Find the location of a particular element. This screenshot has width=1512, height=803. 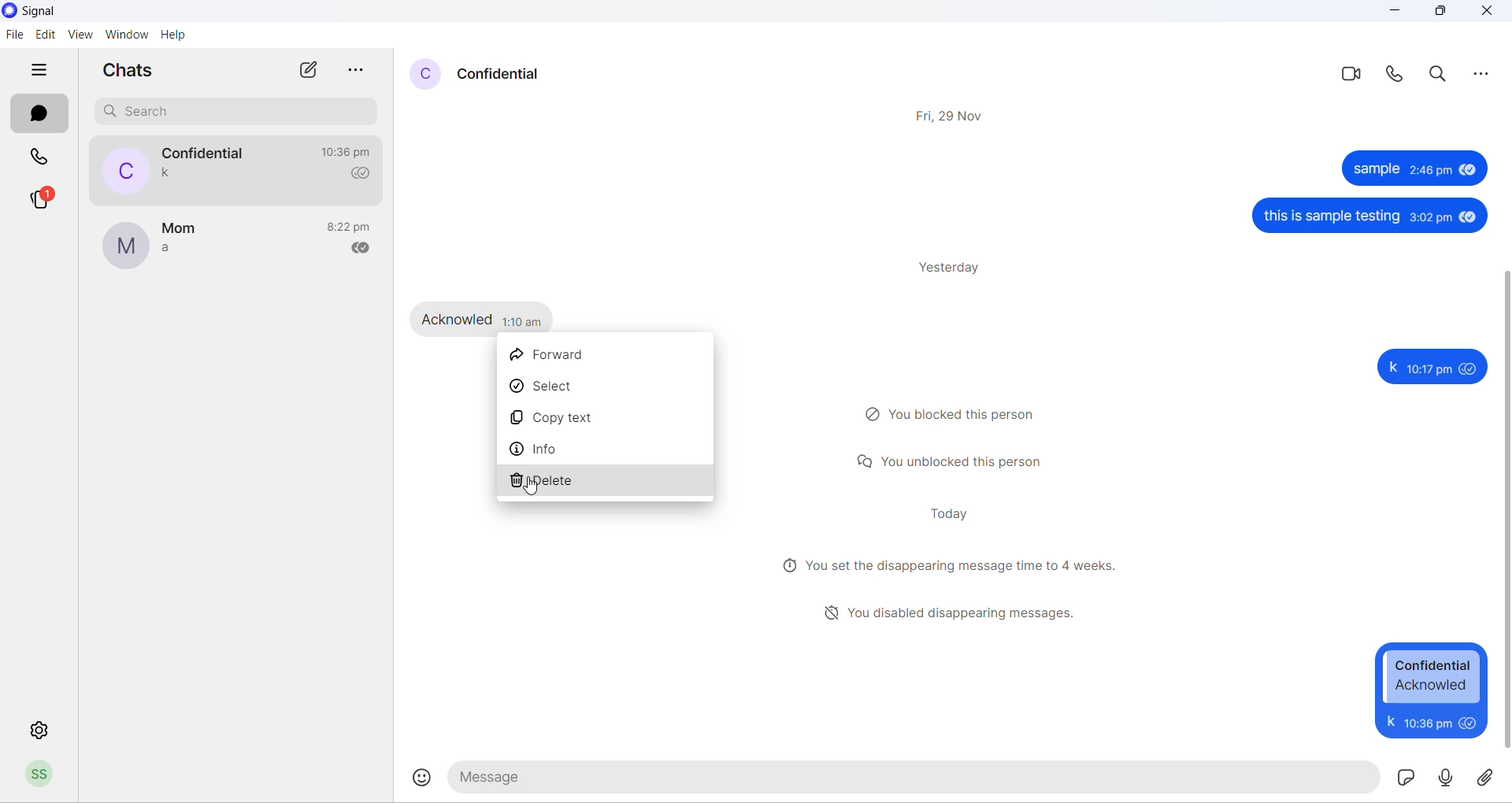

hide tabs is located at coordinates (45, 71).